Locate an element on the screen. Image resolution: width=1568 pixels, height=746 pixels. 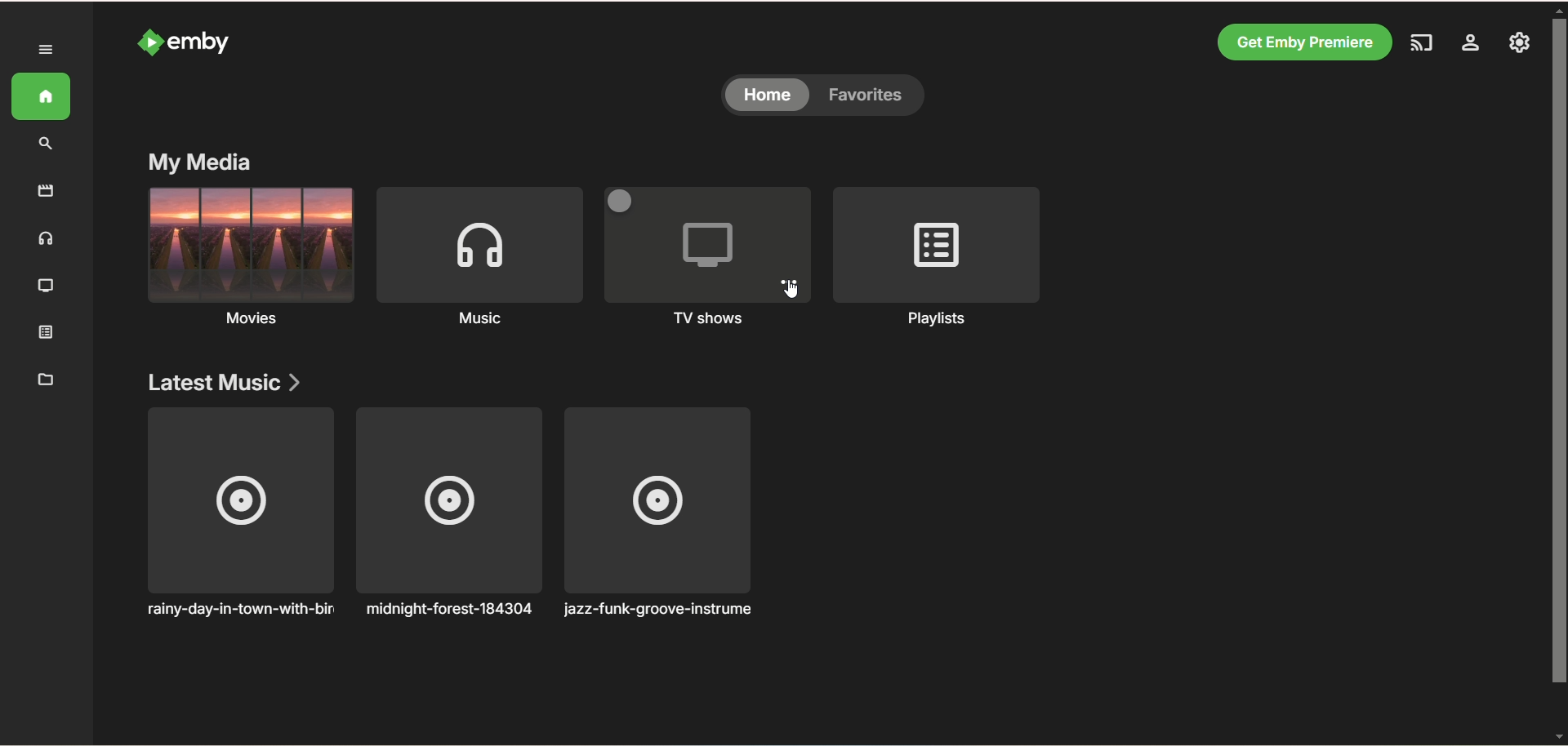
music is located at coordinates (47, 242).